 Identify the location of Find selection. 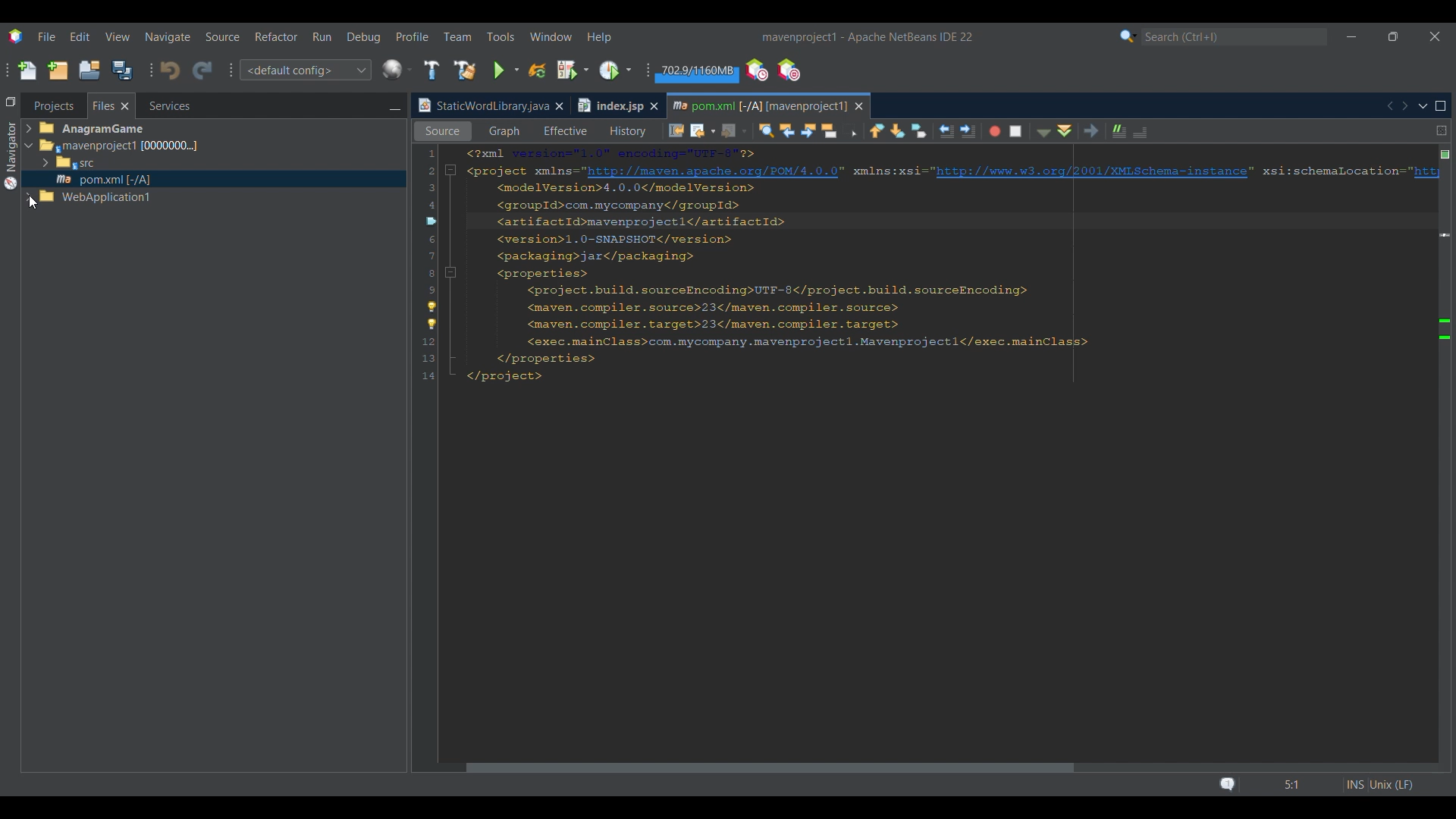
(762, 130).